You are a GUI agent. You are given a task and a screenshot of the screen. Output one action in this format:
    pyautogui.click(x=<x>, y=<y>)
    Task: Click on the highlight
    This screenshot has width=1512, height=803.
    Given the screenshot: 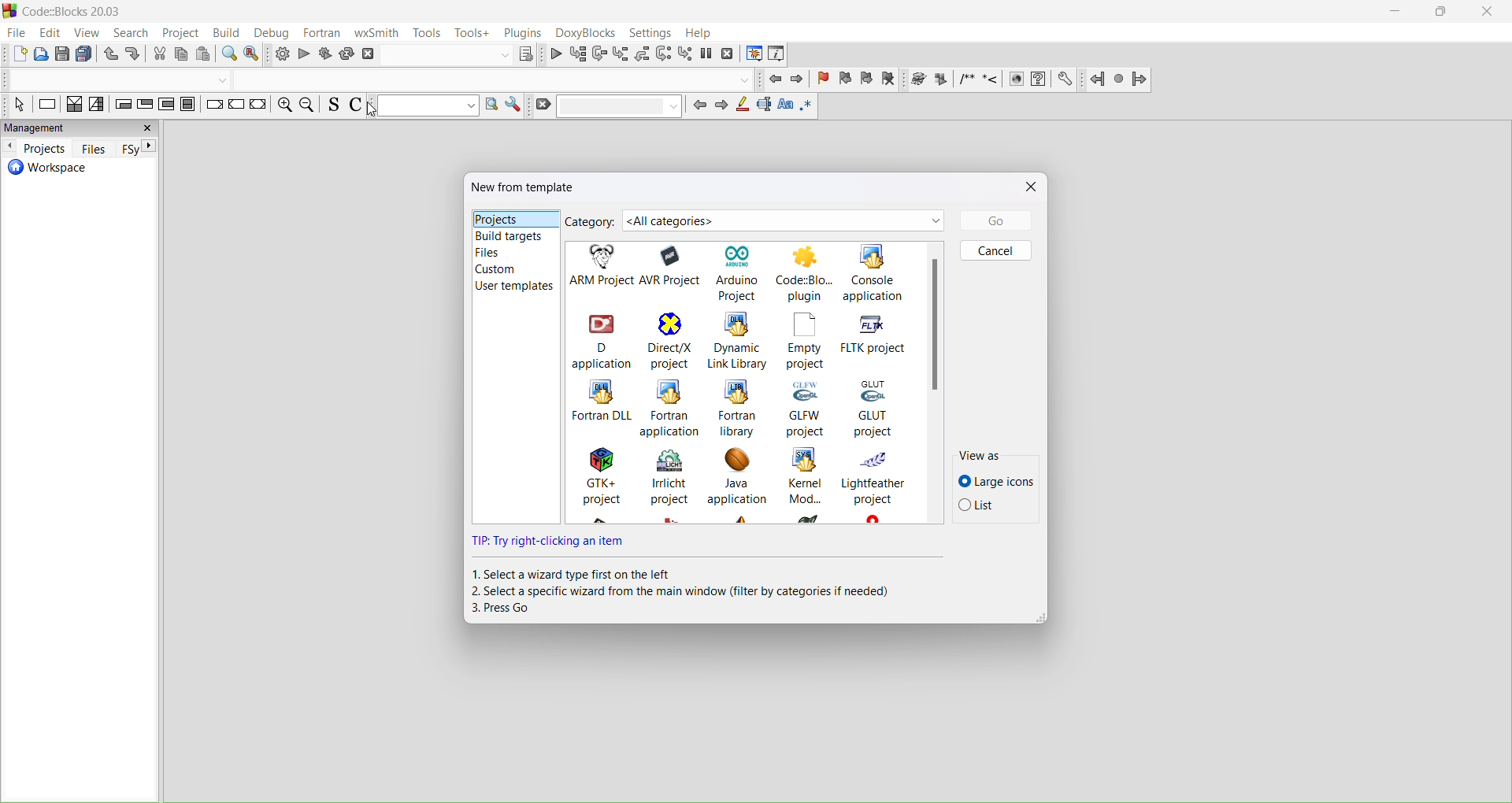 What is the action you would take?
    pyautogui.click(x=745, y=108)
    